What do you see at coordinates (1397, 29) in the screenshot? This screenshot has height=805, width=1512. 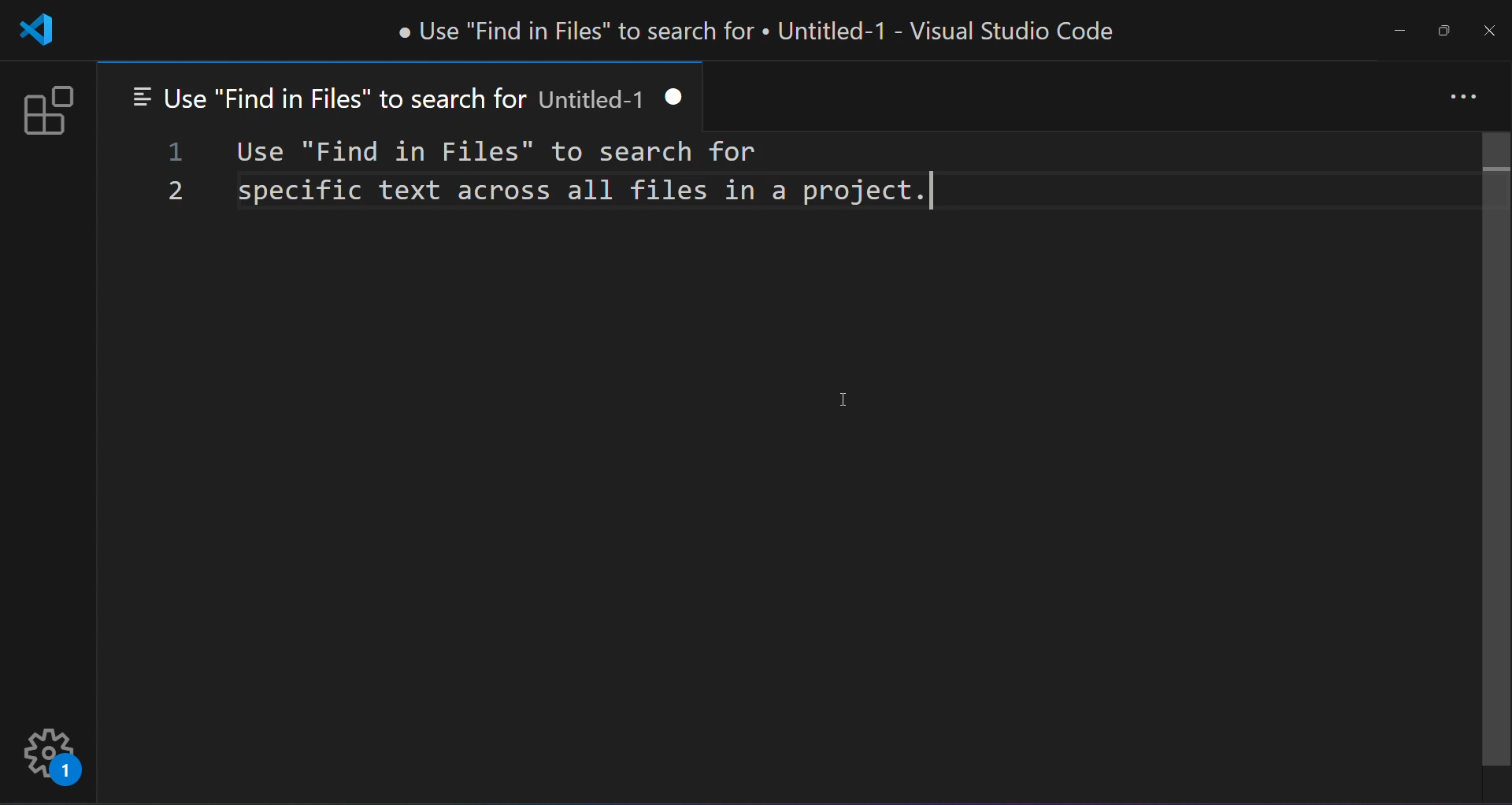 I see `minimize` at bounding box center [1397, 29].